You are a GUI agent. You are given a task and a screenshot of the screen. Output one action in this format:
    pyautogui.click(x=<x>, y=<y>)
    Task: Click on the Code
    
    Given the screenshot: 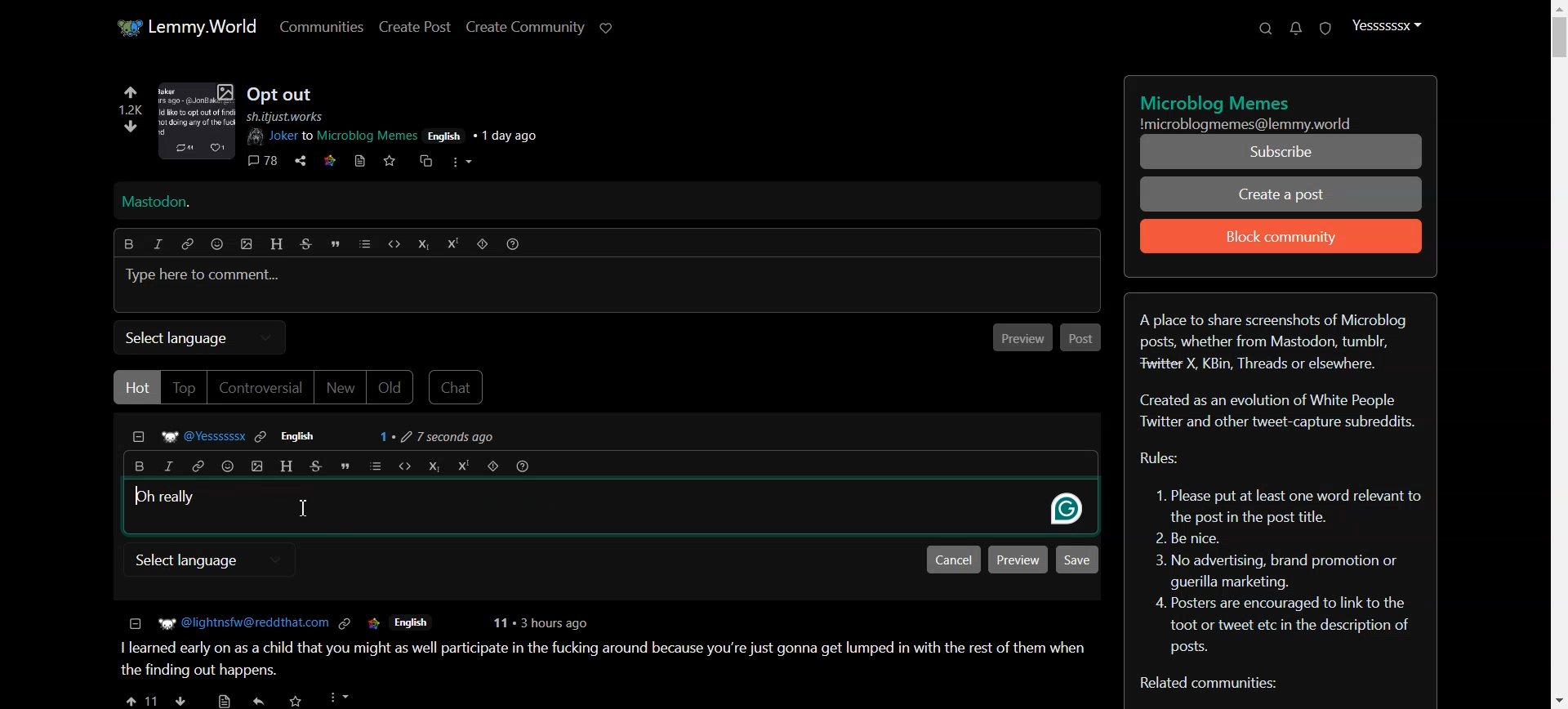 What is the action you would take?
    pyautogui.click(x=393, y=244)
    